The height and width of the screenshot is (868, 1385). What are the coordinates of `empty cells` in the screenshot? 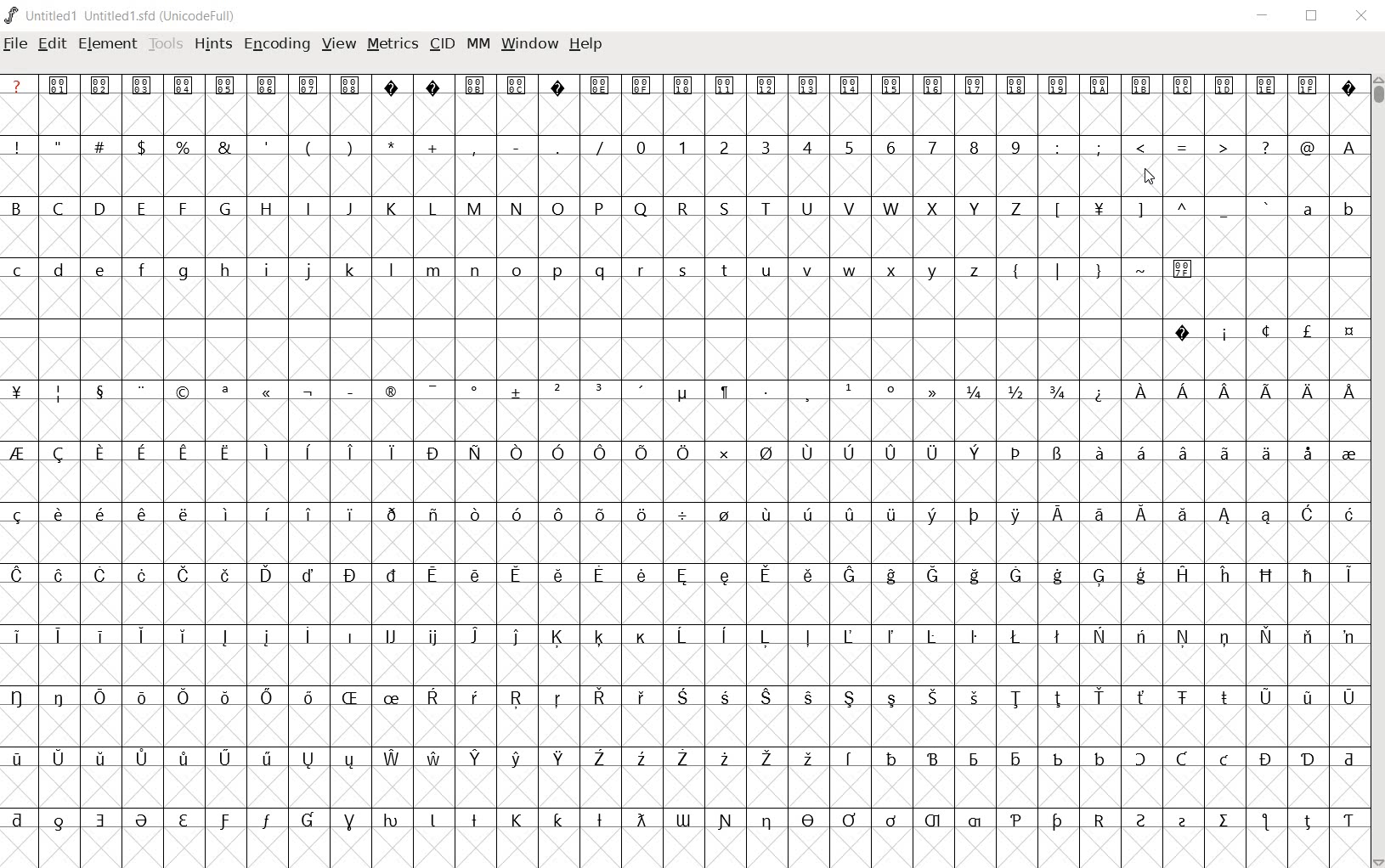 It's located at (681, 543).